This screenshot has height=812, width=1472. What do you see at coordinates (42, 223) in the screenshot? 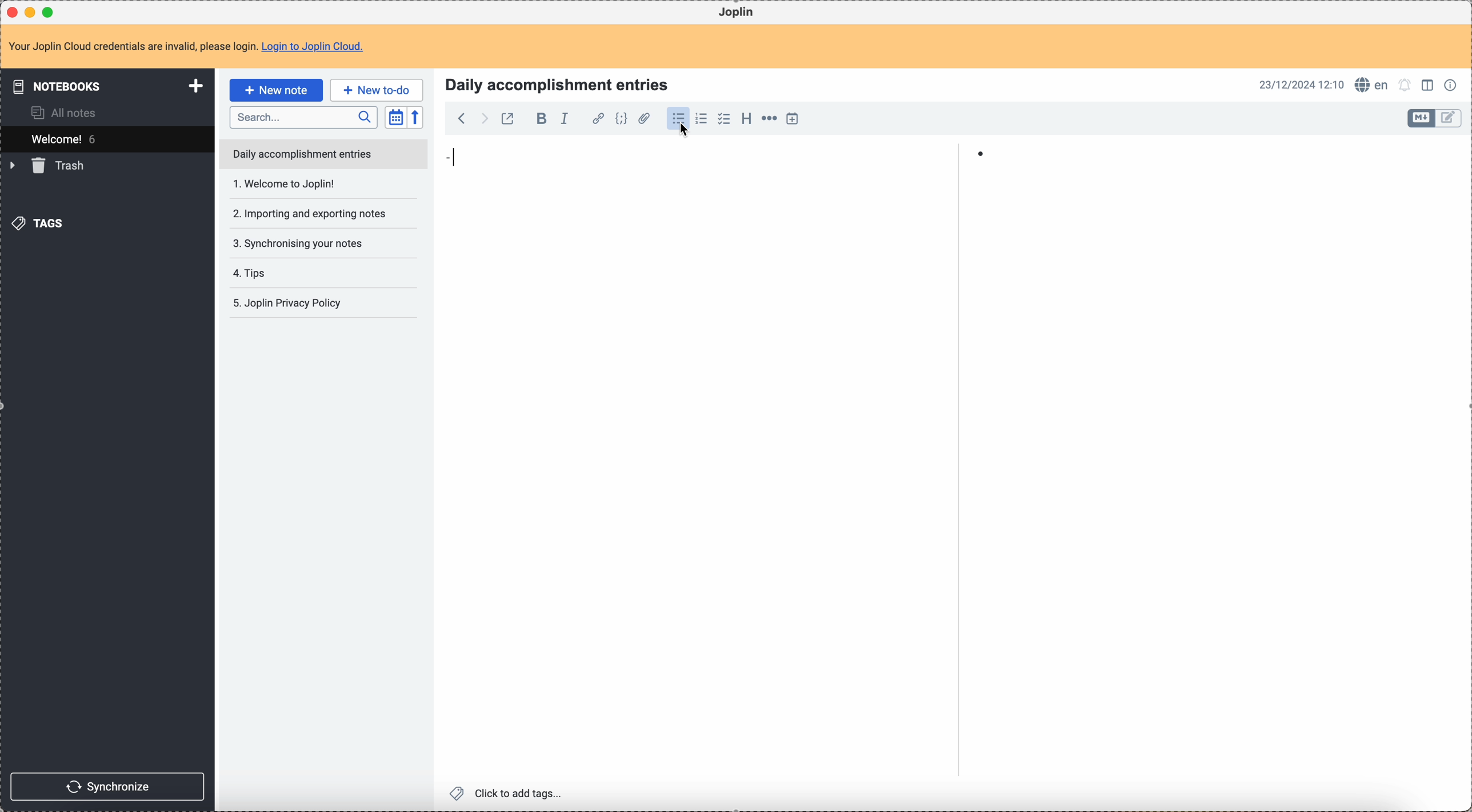
I see `tags` at bounding box center [42, 223].